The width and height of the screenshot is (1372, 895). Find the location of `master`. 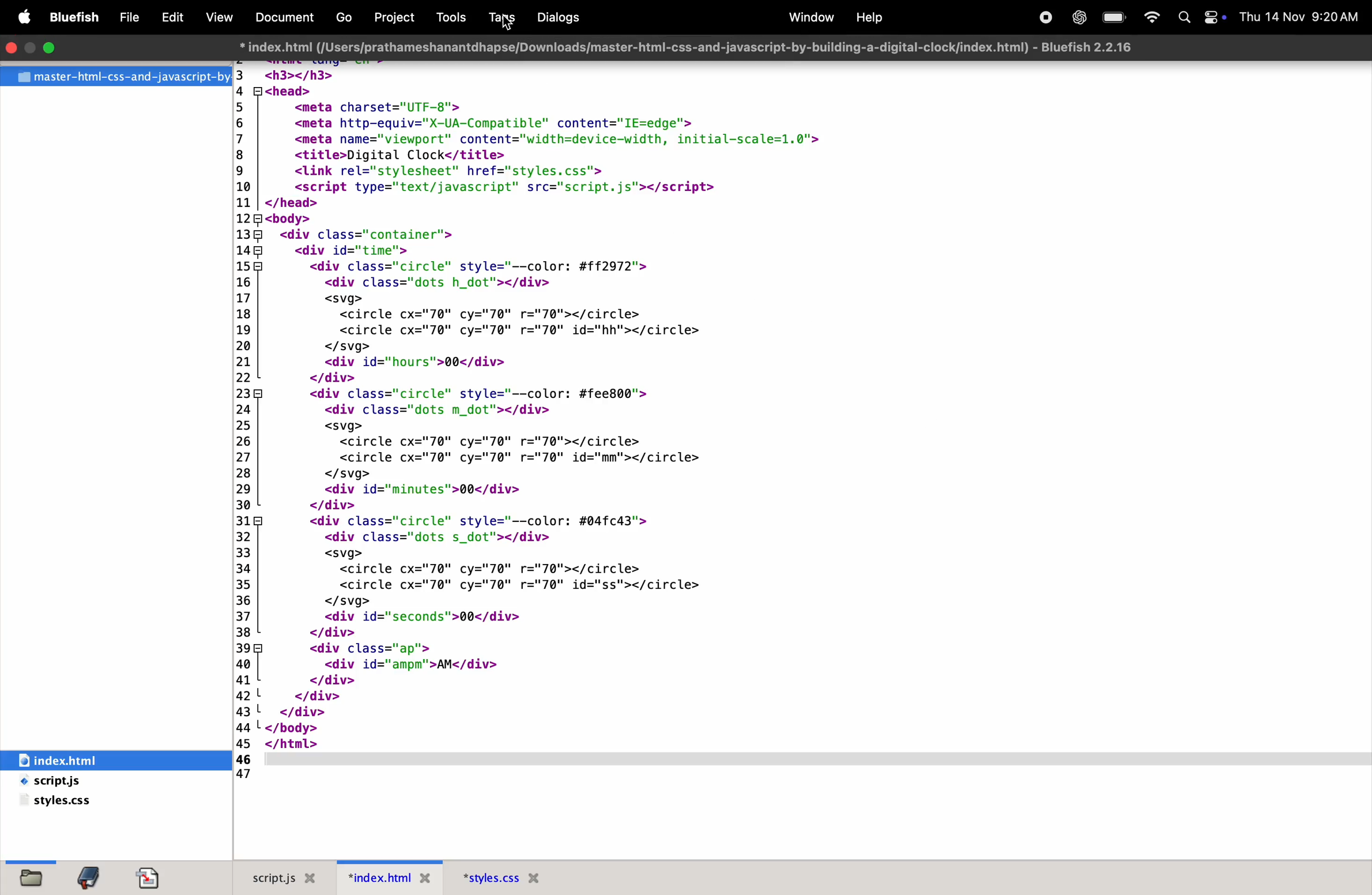

master is located at coordinates (115, 77).